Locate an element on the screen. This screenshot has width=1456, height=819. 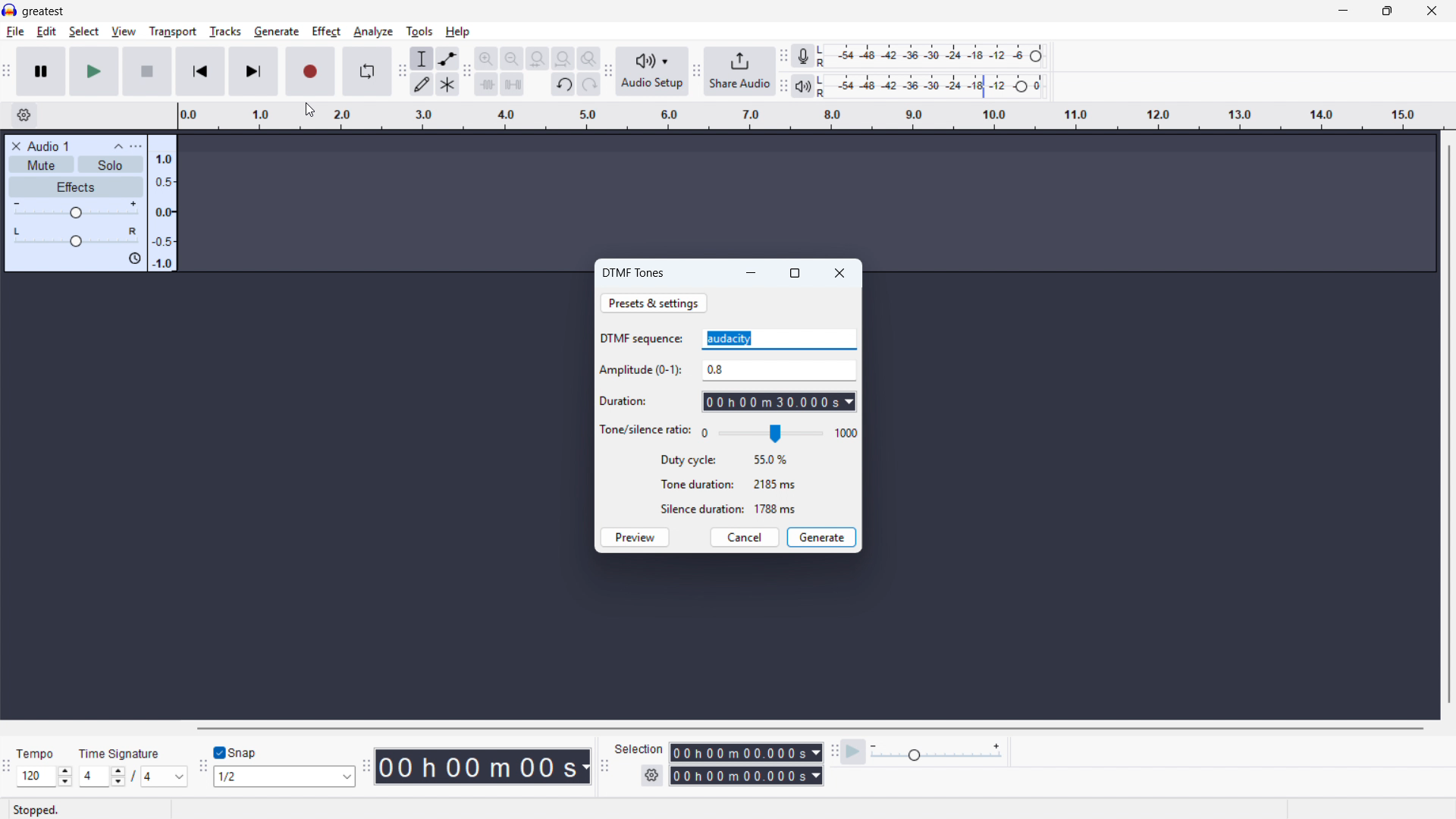
edit toolbar is located at coordinates (468, 72).